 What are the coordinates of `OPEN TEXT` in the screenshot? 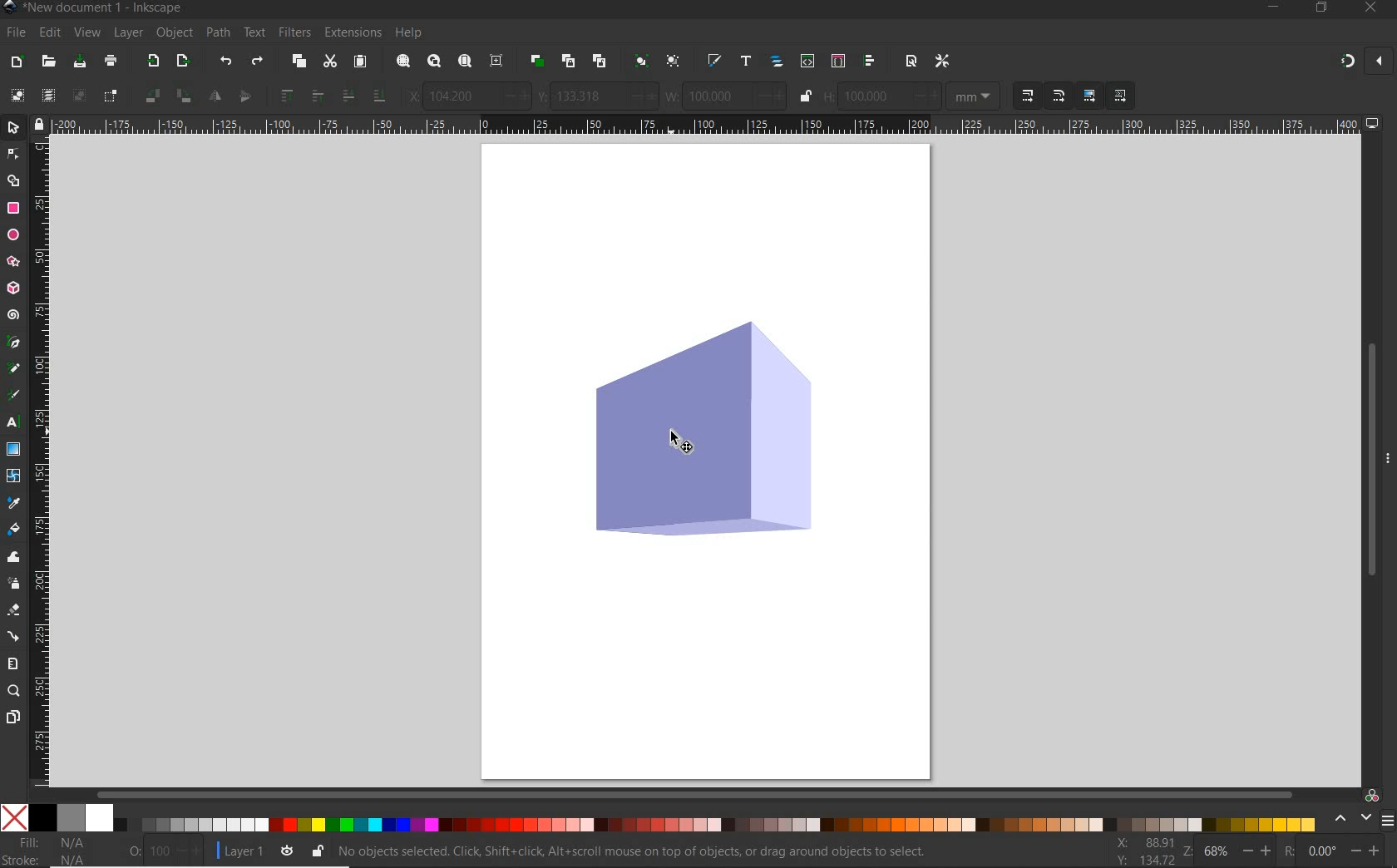 It's located at (744, 62).